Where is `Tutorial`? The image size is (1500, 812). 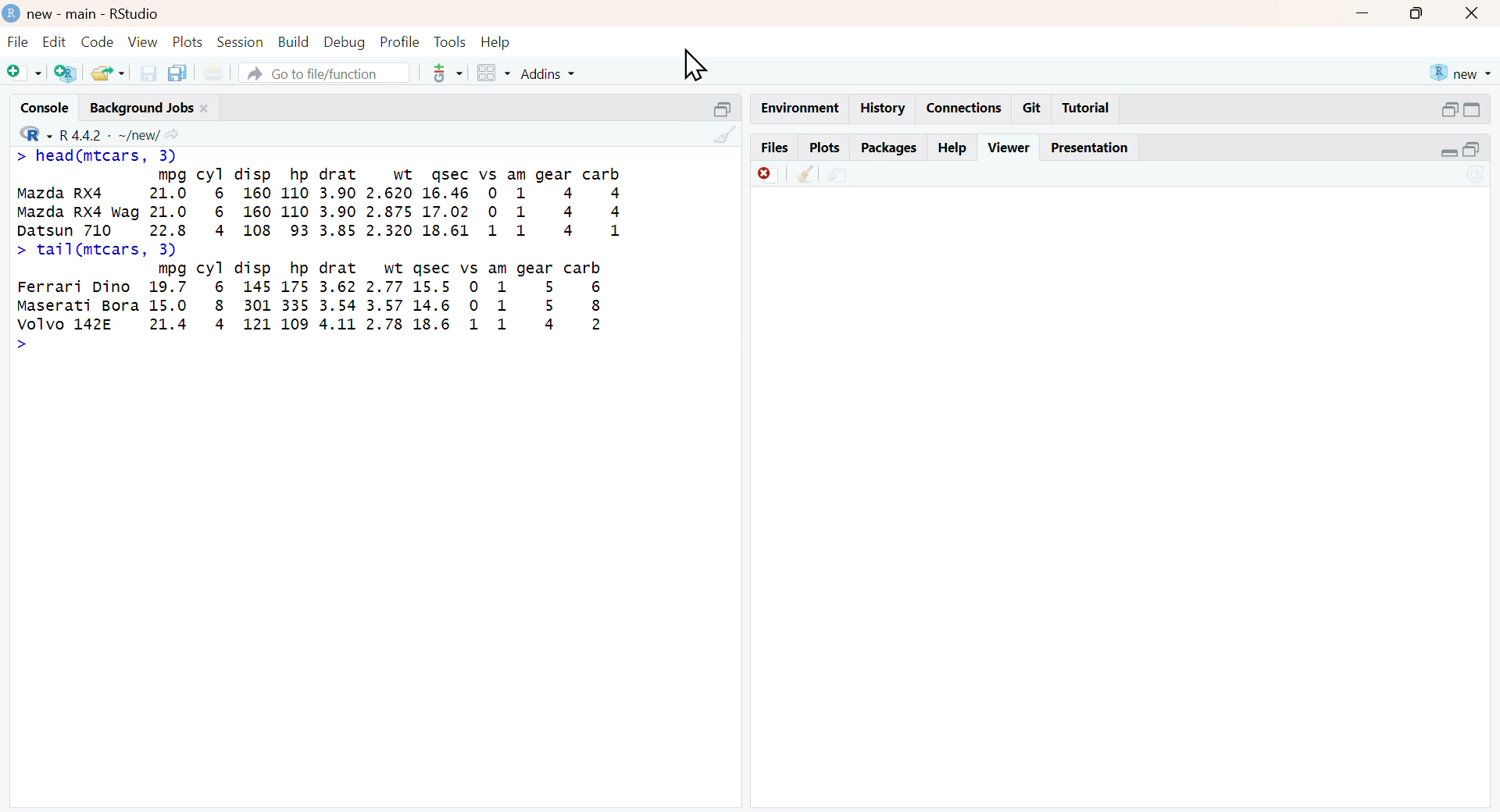 Tutorial is located at coordinates (1089, 109).